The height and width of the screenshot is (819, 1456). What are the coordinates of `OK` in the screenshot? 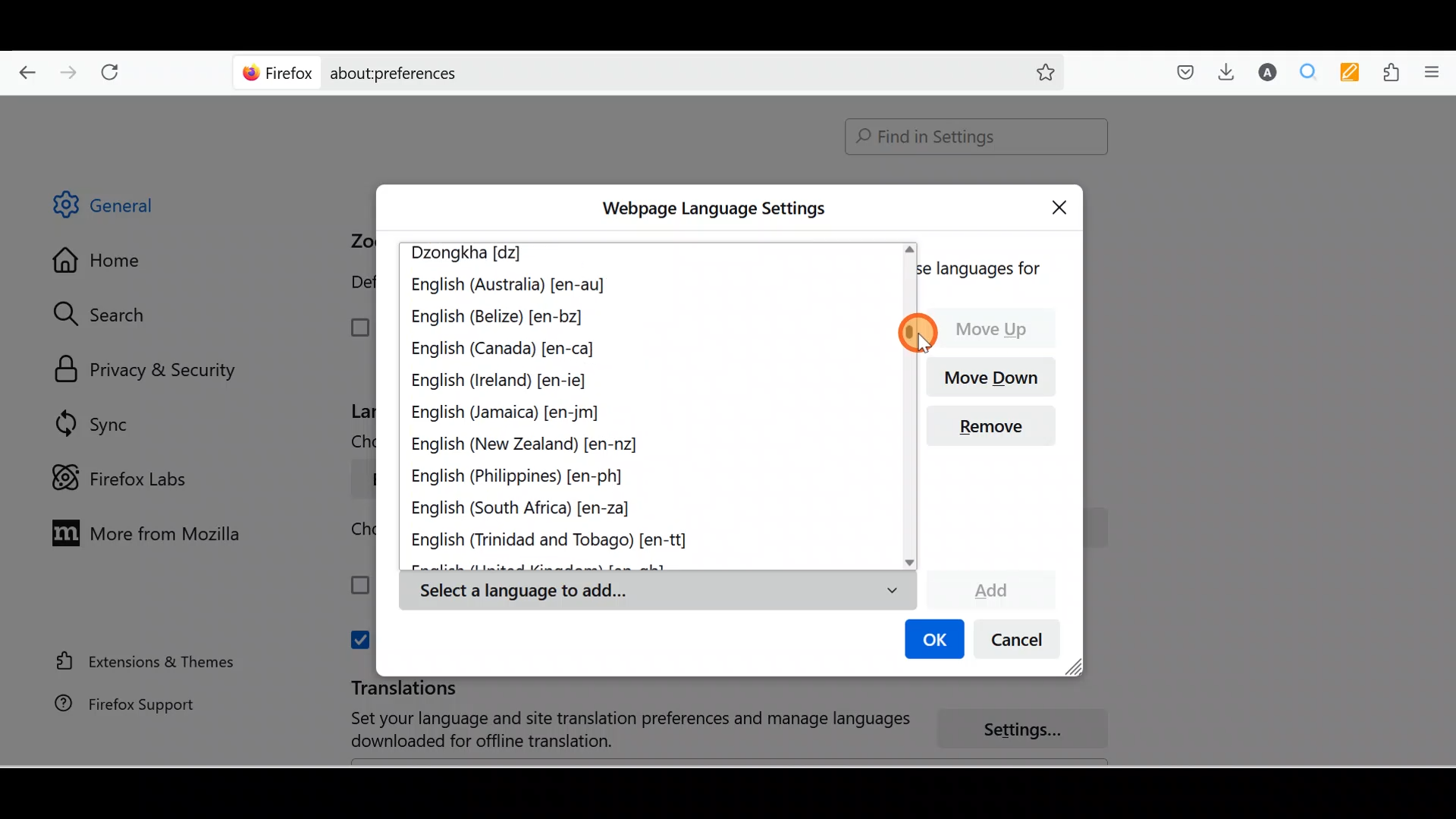 It's located at (932, 641).